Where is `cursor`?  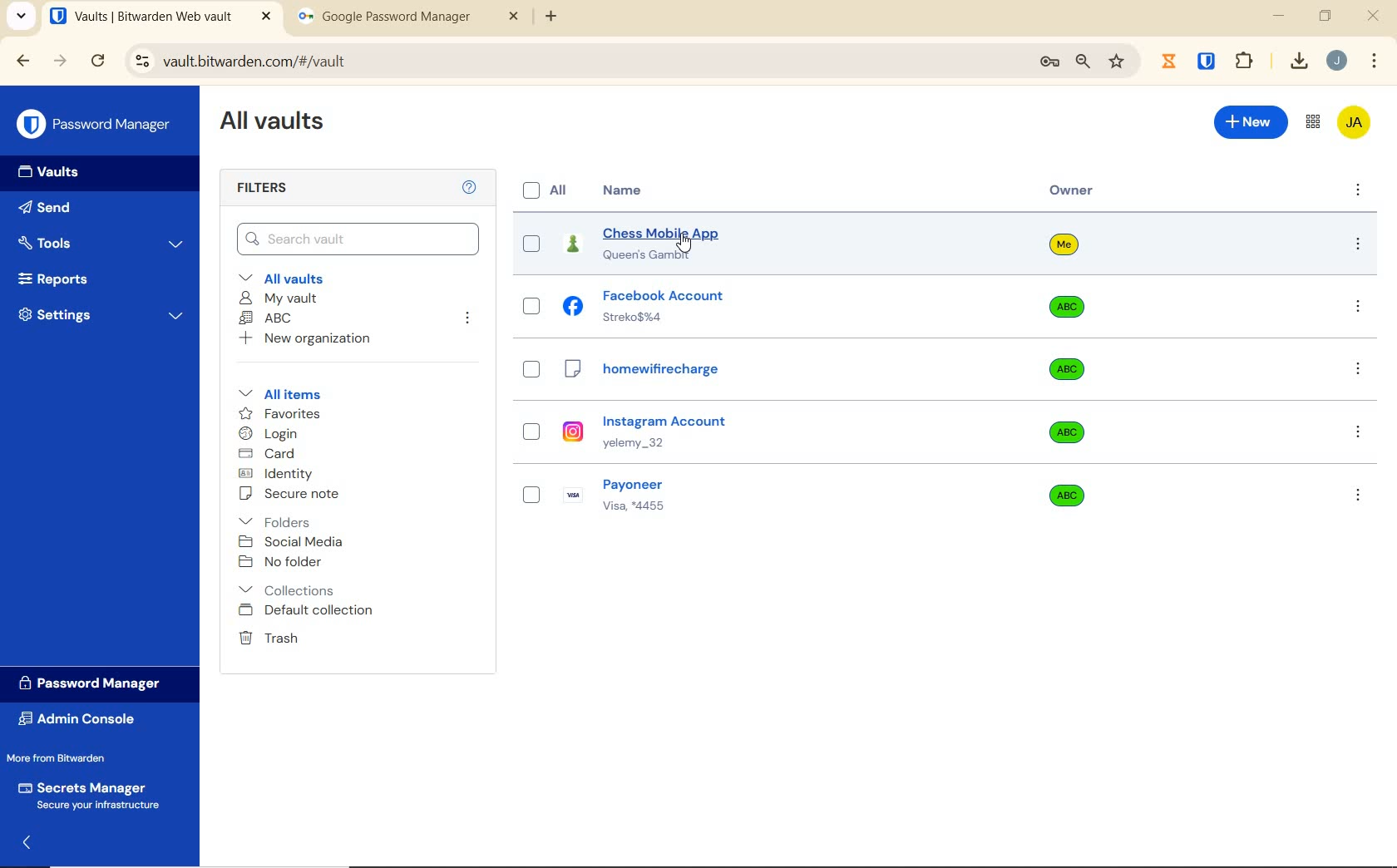
cursor is located at coordinates (684, 245).